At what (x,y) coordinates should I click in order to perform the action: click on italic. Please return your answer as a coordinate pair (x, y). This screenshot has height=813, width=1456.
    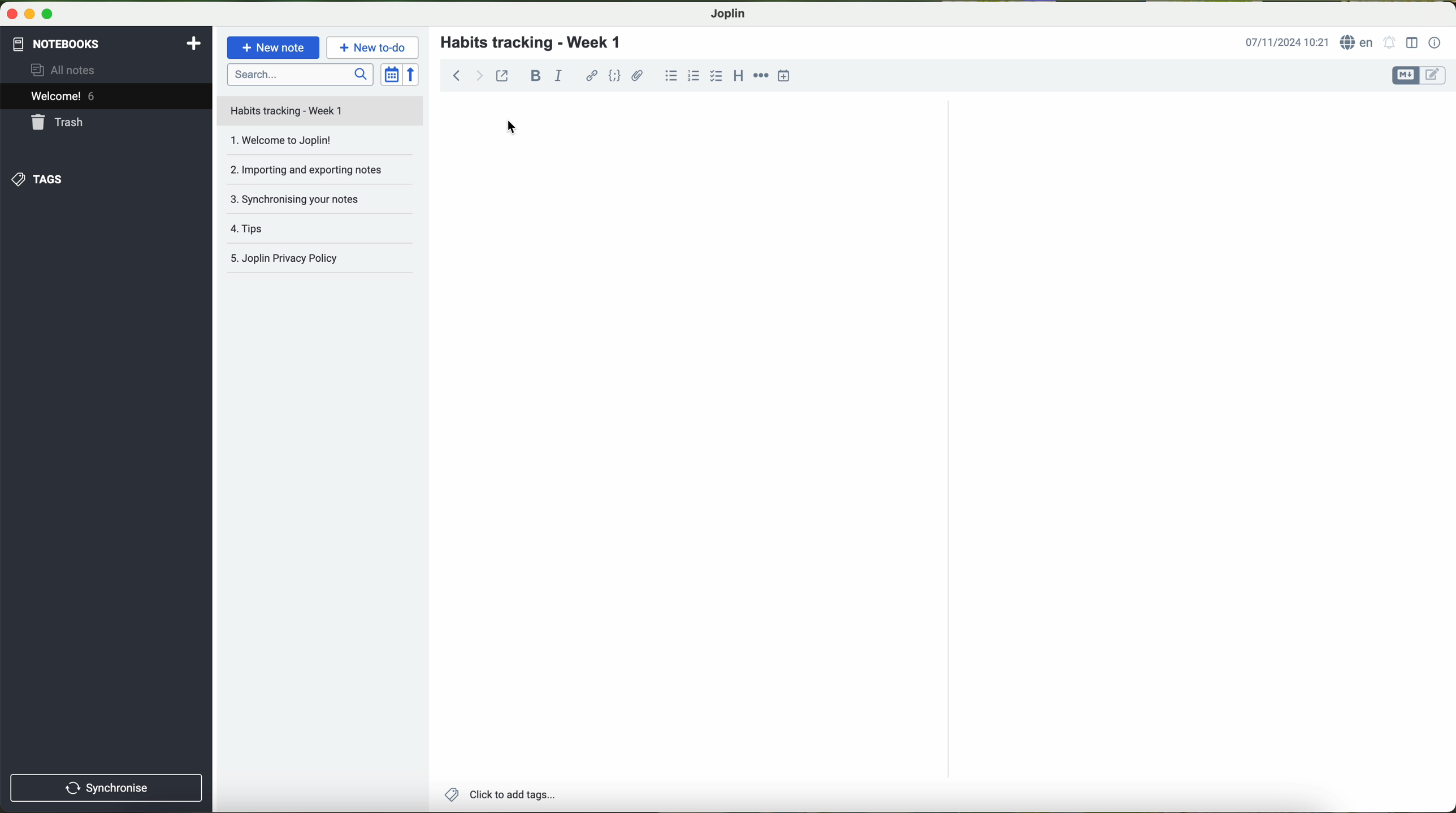
    Looking at the image, I should click on (558, 75).